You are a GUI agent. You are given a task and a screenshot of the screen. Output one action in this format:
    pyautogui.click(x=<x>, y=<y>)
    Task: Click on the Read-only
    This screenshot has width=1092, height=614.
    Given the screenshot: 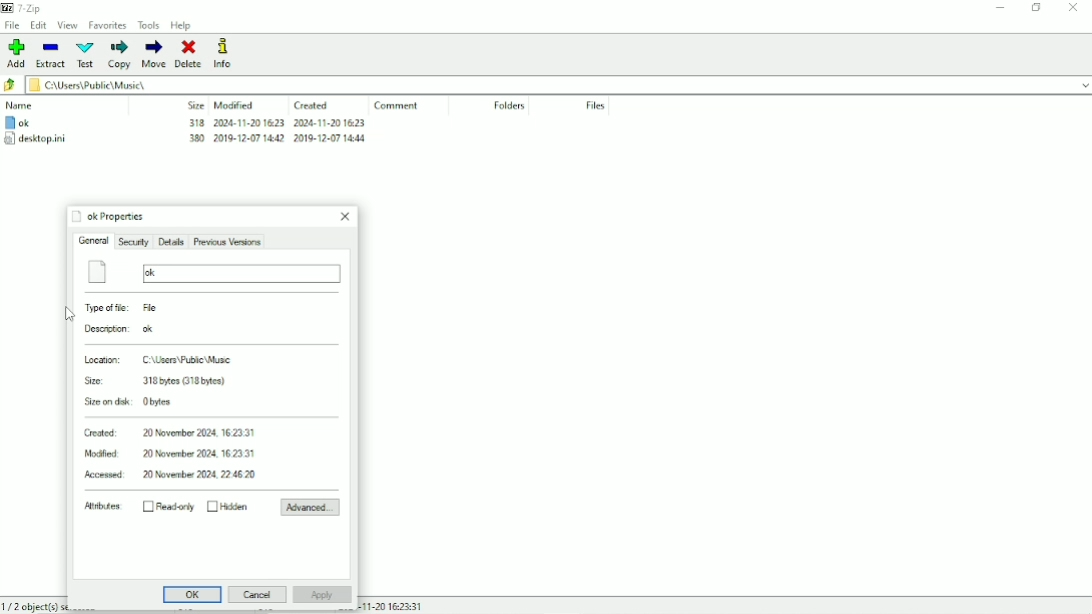 What is the action you would take?
    pyautogui.click(x=168, y=508)
    